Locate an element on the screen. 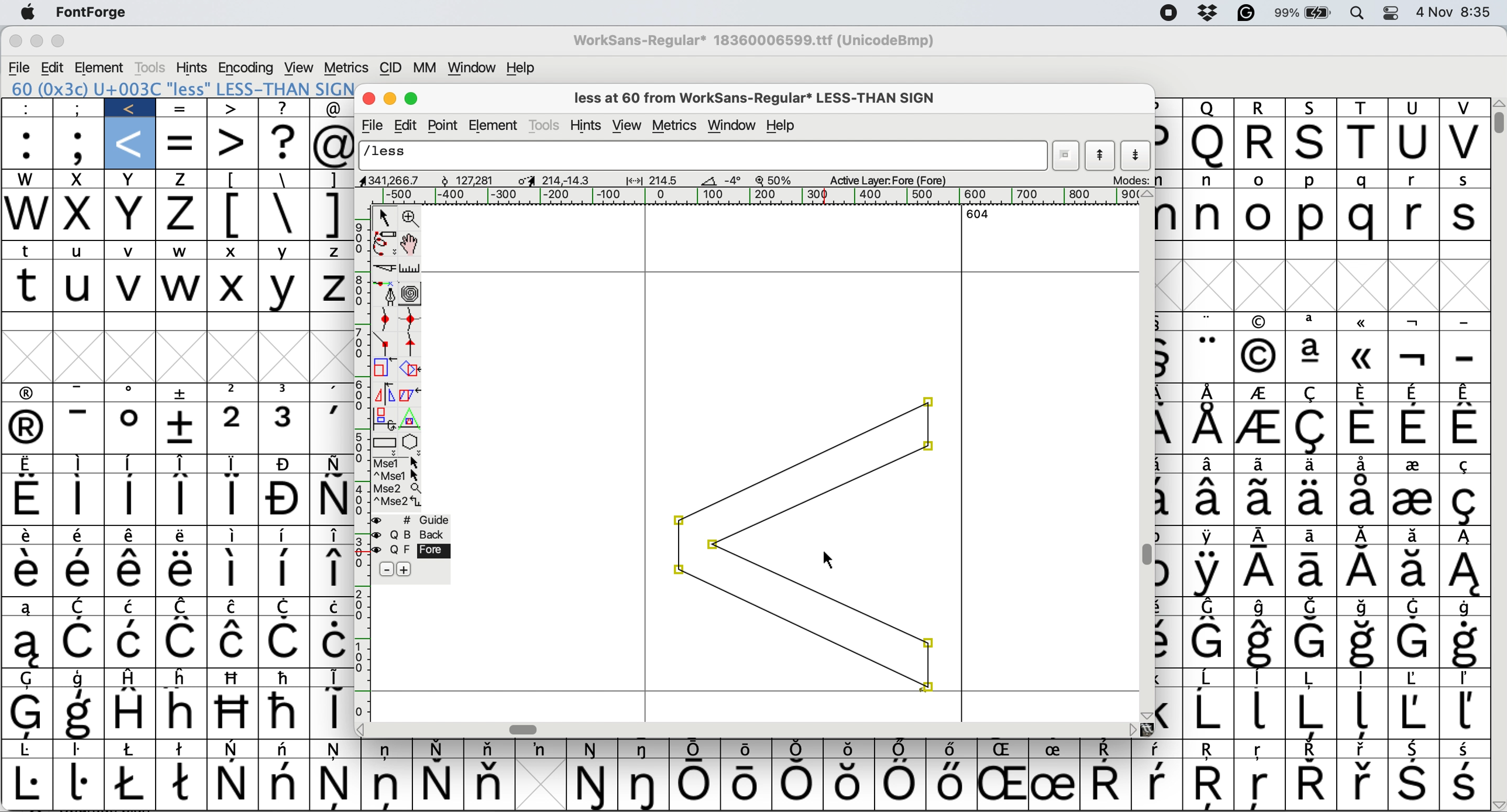 The height and width of the screenshot is (812, 1507). glyph name is located at coordinates (704, 155).